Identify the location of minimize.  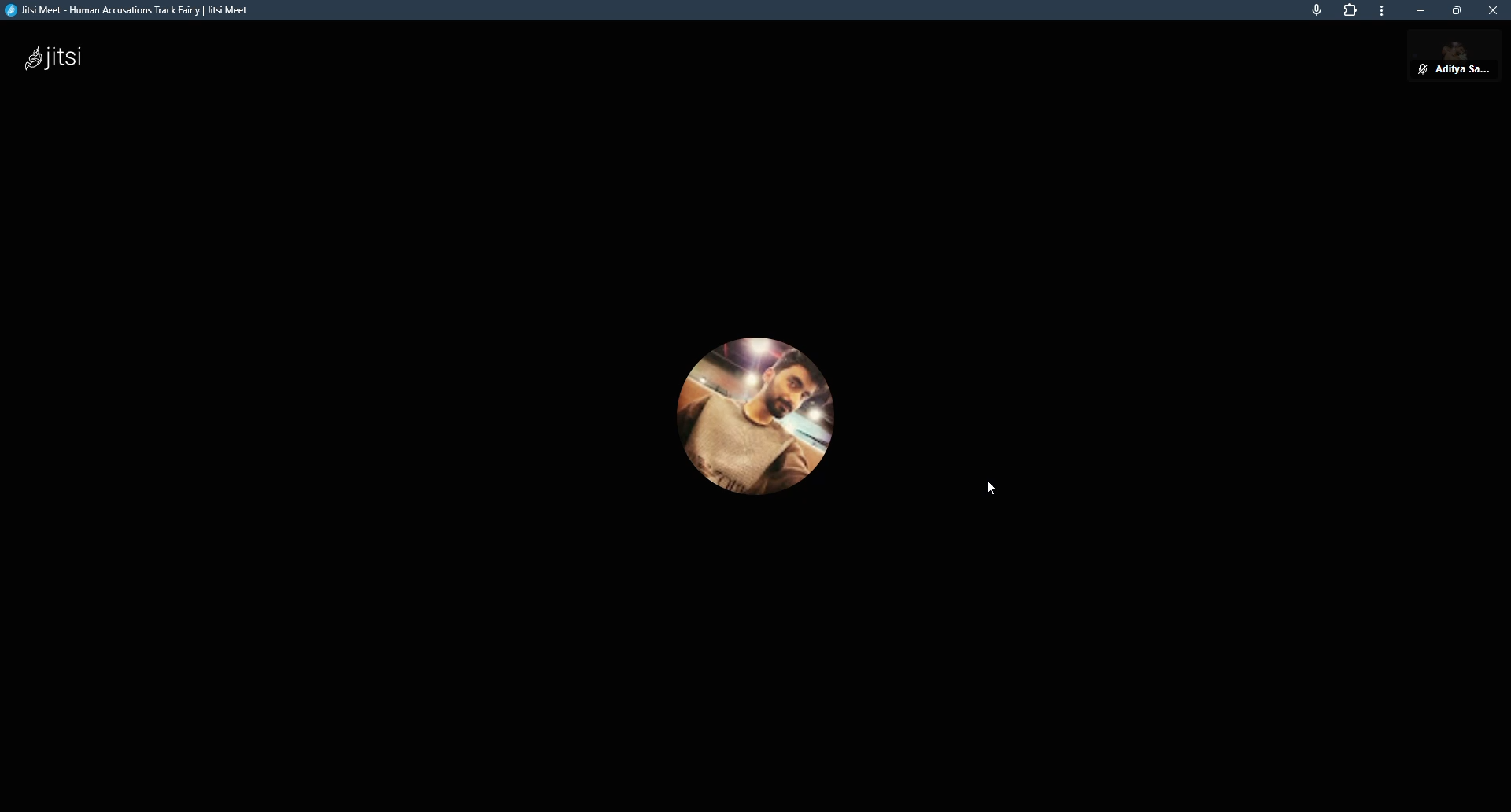
(1420, 10).